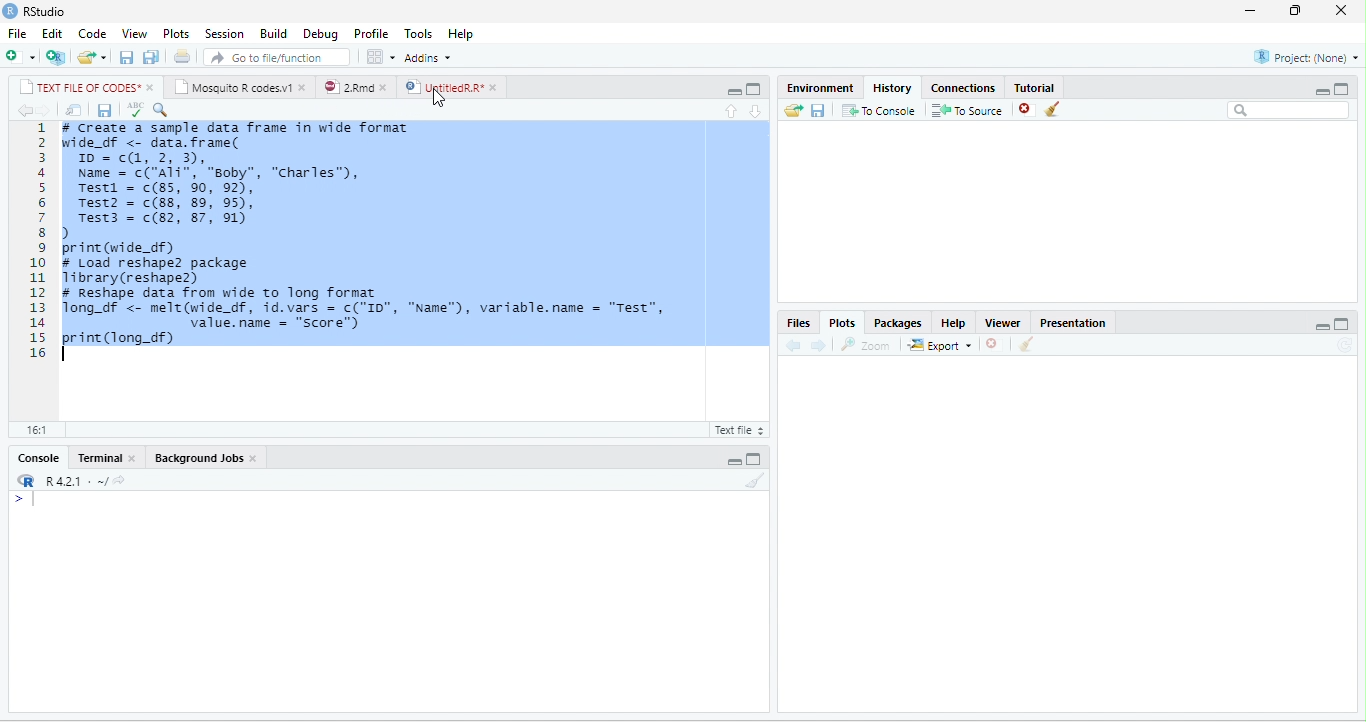 This screenshot has width=1366, height=722. I want to click on search bar, so click(1290, 110).